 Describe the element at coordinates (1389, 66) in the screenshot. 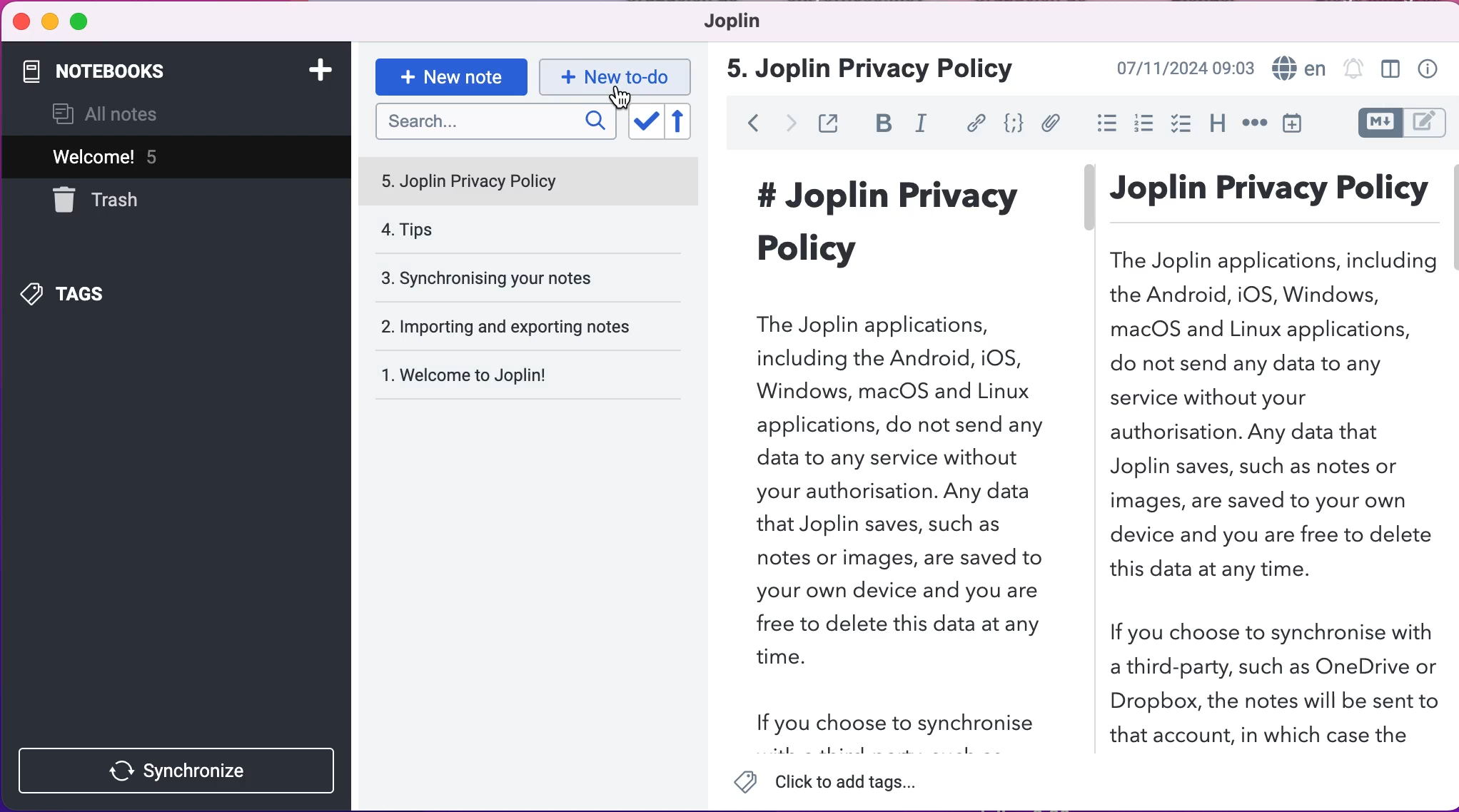

I see `toggle editor layour` at that location.